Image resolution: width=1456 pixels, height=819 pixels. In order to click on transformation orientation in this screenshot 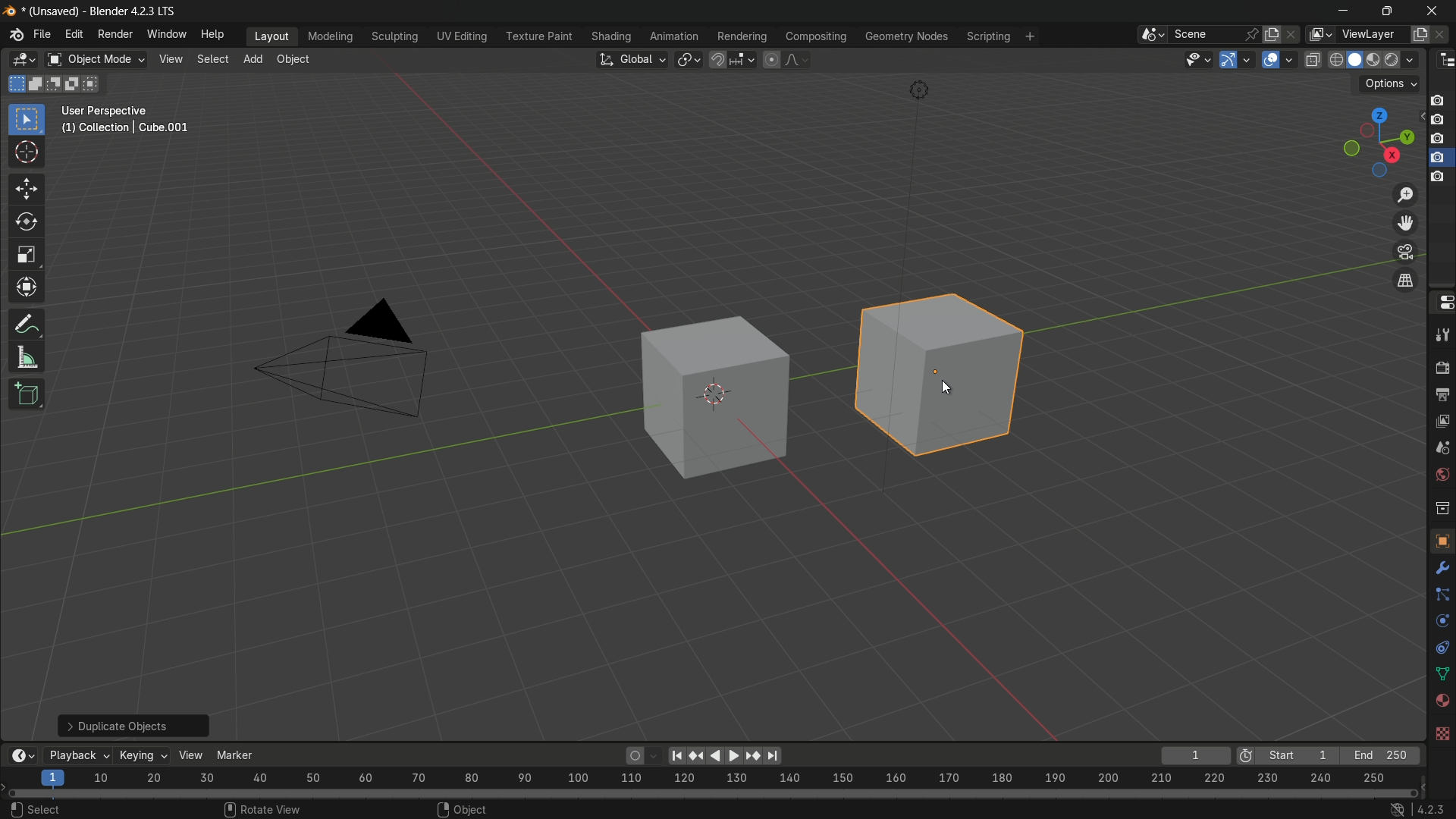, I will do `click(632, 58)`.